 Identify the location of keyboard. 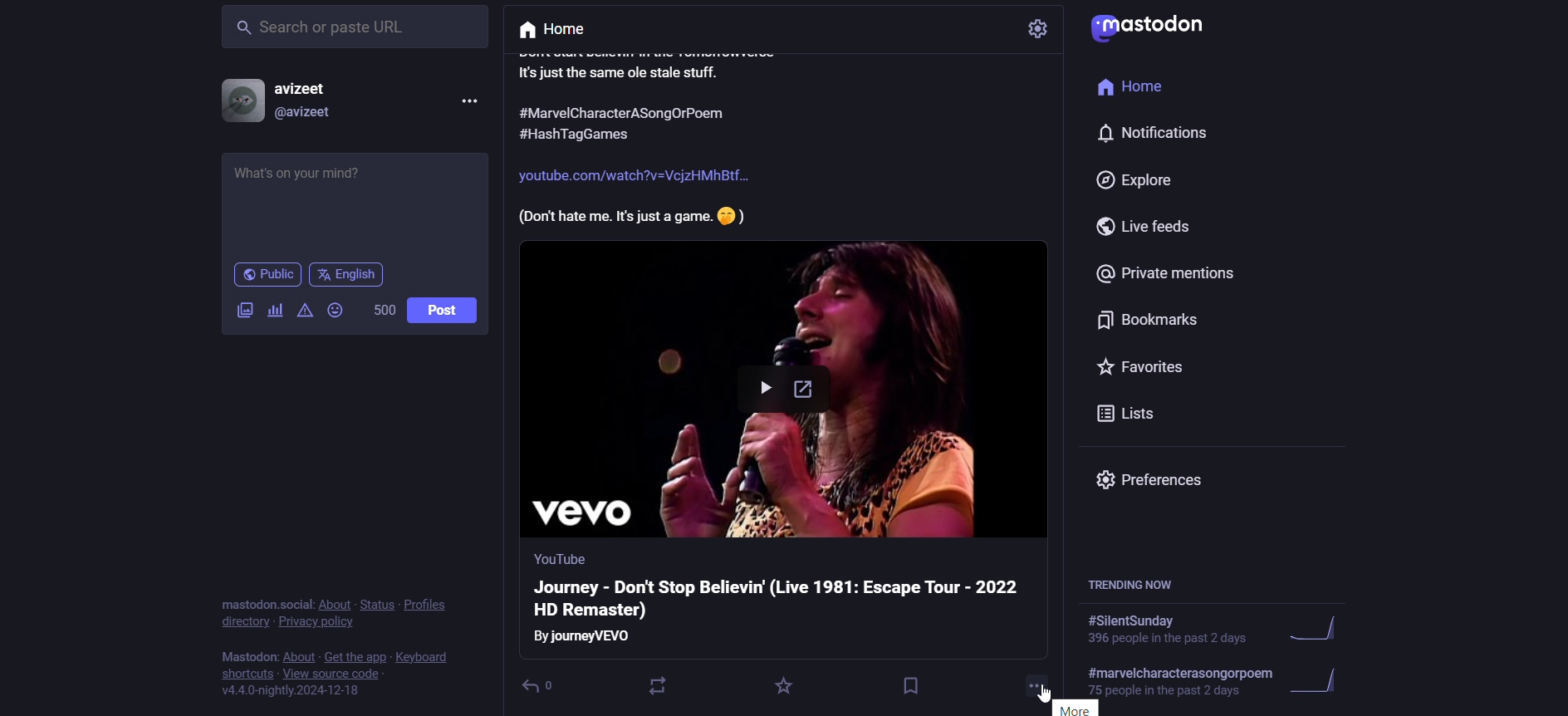
(423, 656).